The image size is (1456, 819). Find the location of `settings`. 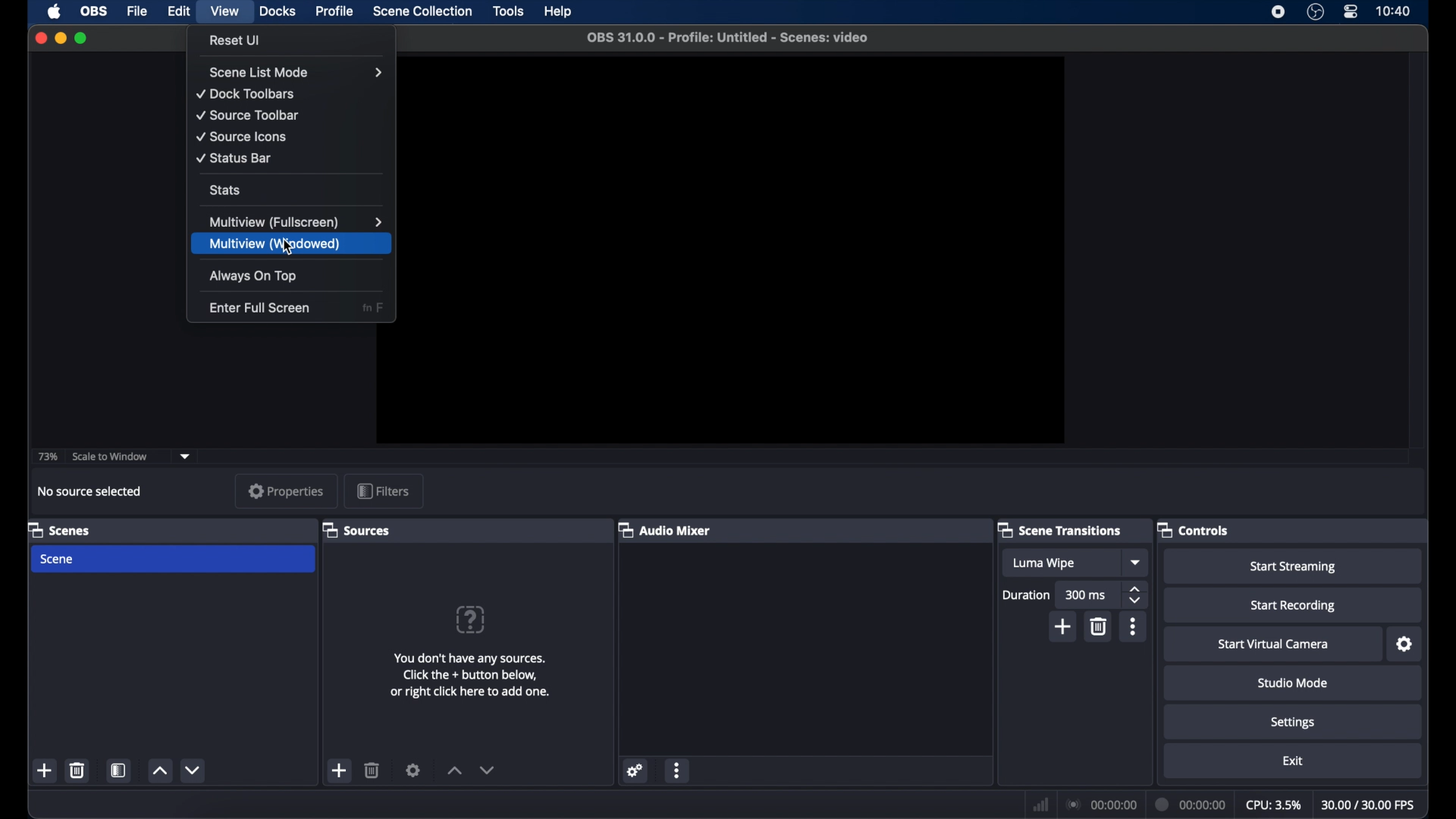

settings is located at coordinates (1405, 645).